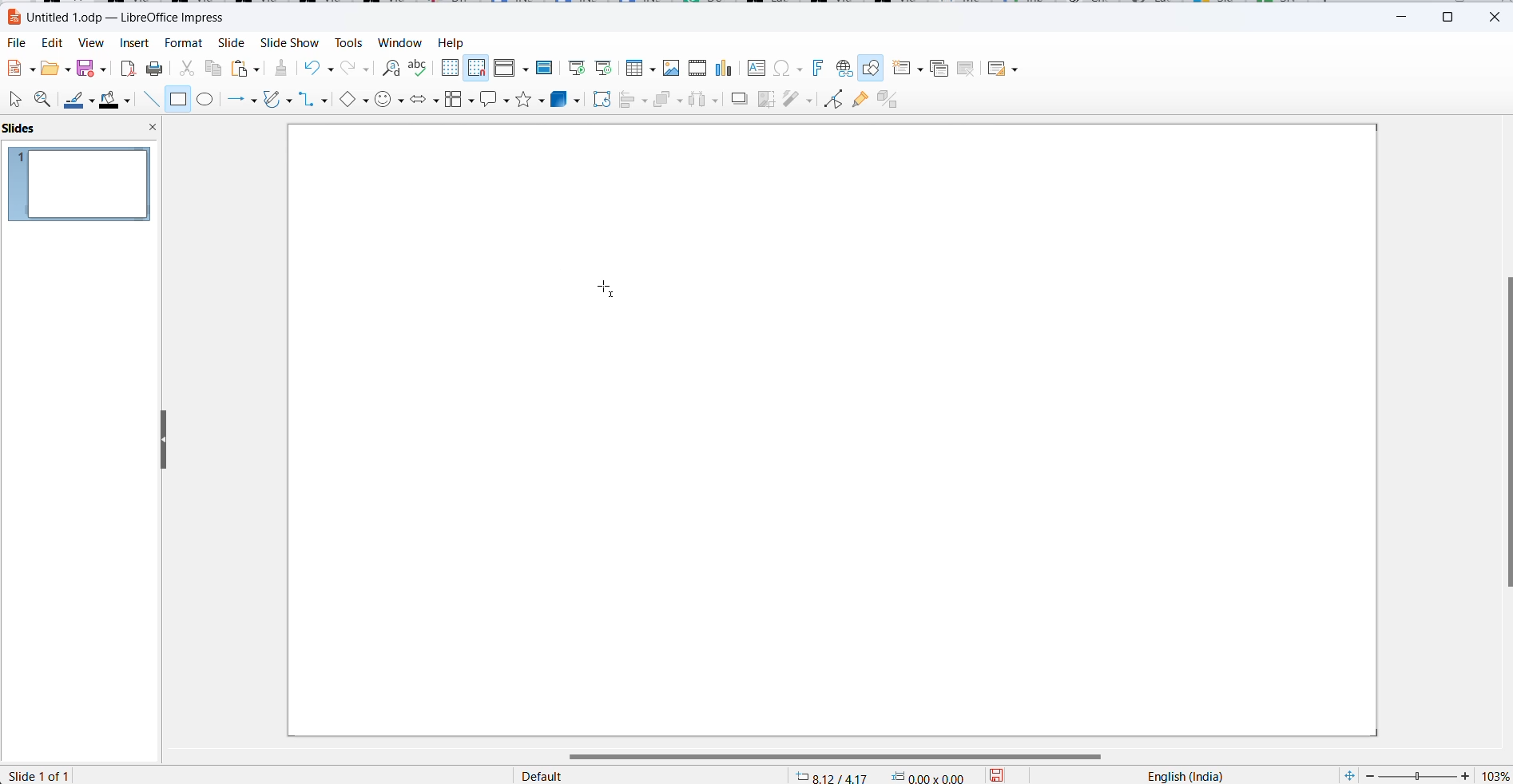  What do you see at coordinates (820, 67) in the screenshot?
I see `Insert font work text` at bounding box center [820, 67].